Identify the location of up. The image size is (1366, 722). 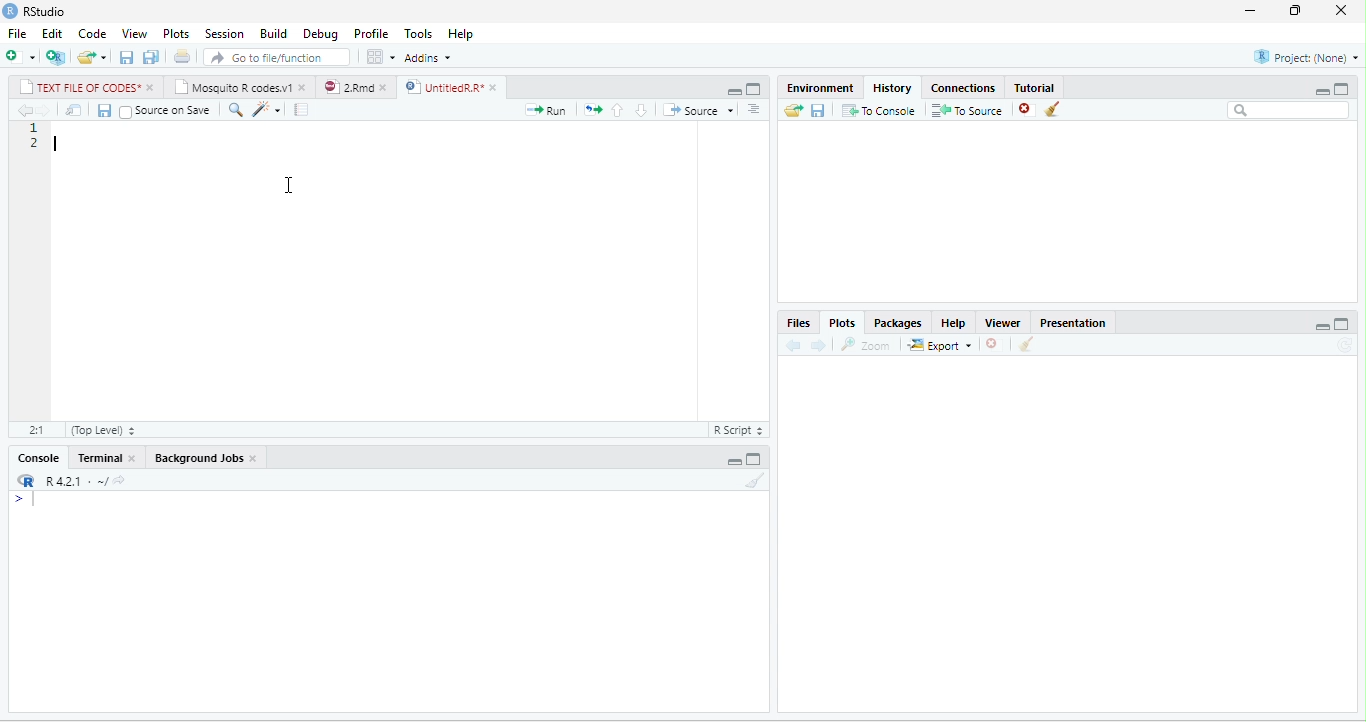
(618, 111).